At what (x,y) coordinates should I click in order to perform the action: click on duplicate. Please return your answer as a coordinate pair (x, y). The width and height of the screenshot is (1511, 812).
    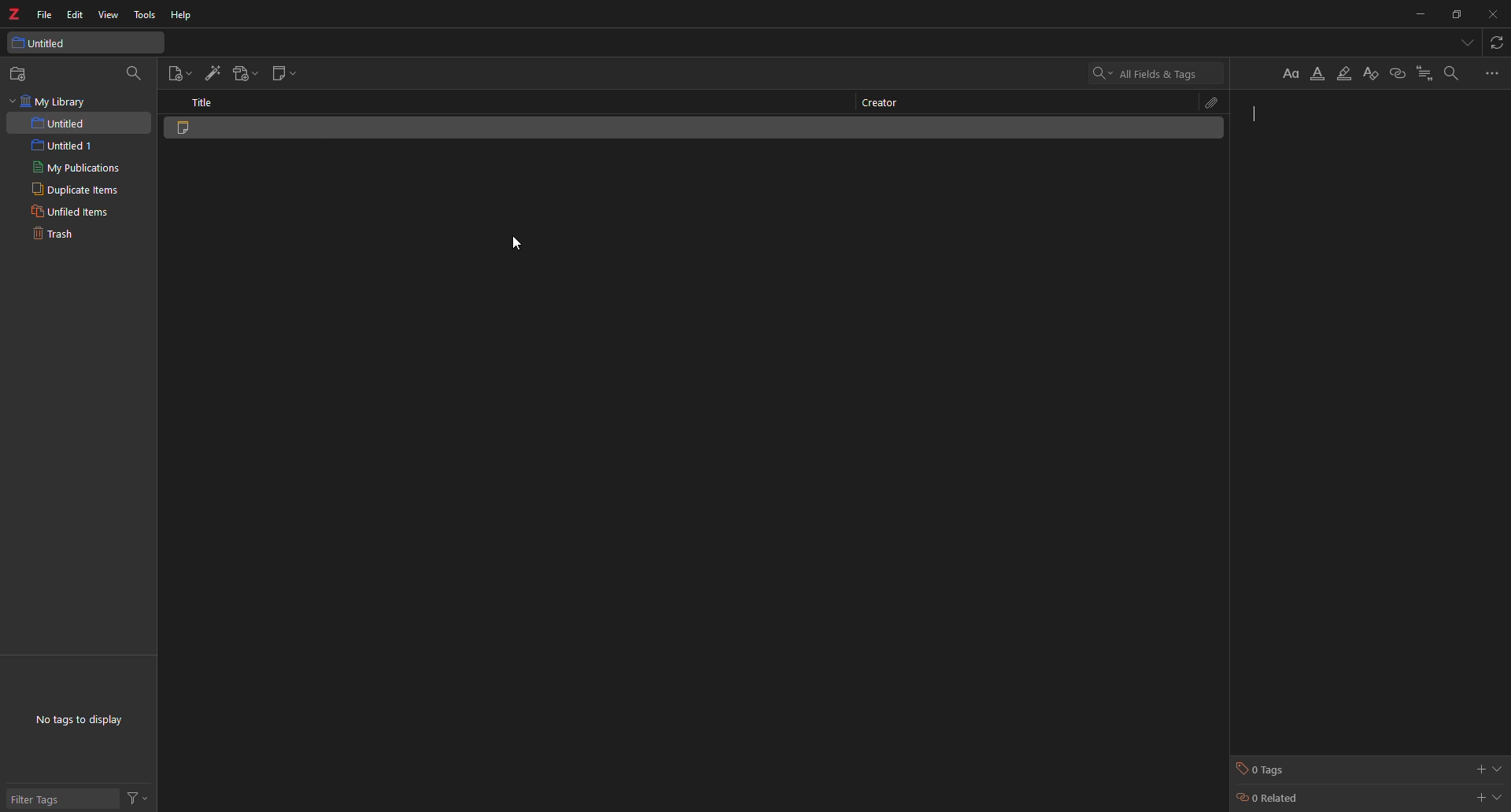
    Looking at the image, I should click on (73, 190).